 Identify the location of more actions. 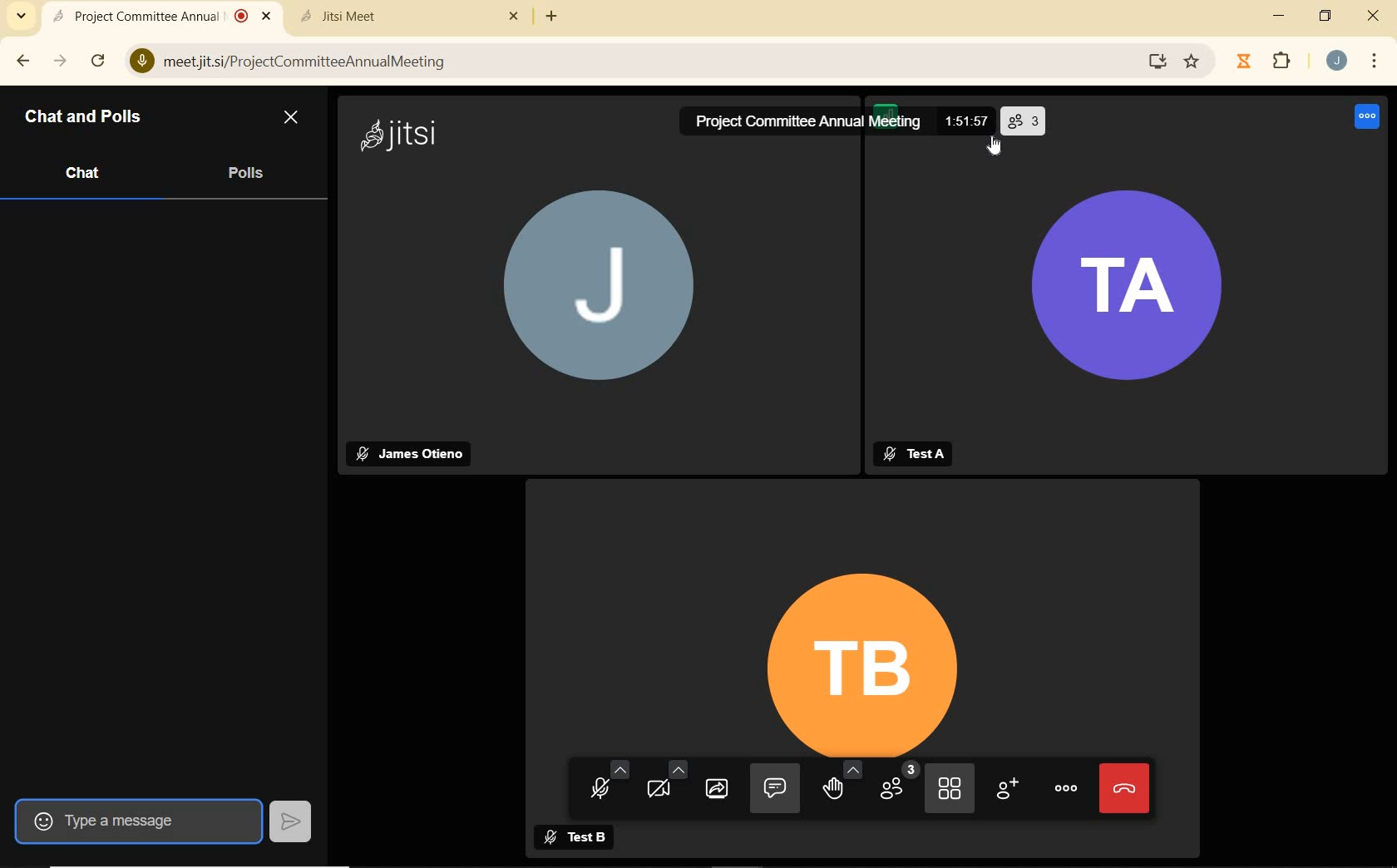
(1065, 788).